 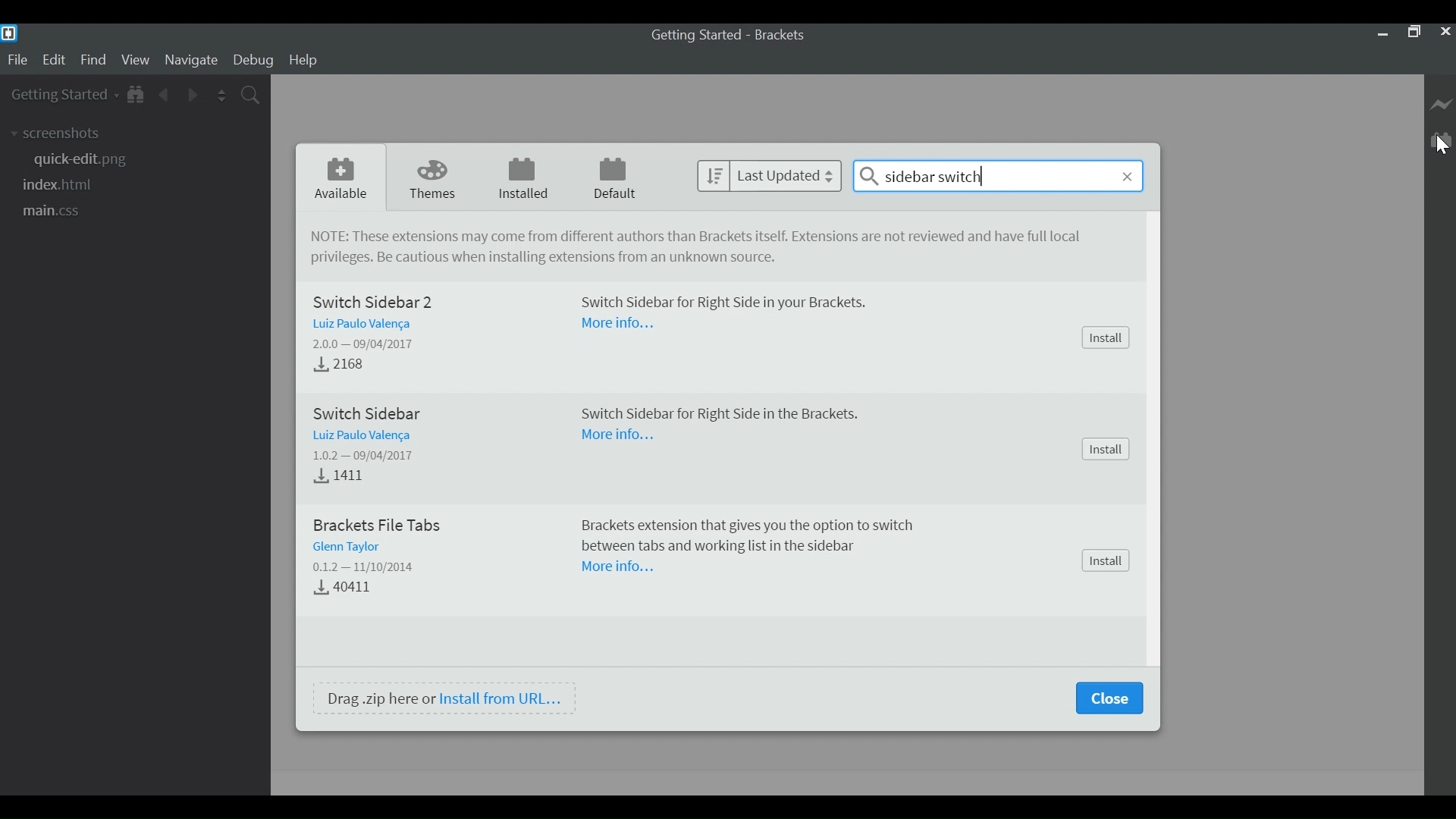 What do you see at coordinates (348, 586) in the screenshot?
I see `Download` at bounding box center [348, 586].